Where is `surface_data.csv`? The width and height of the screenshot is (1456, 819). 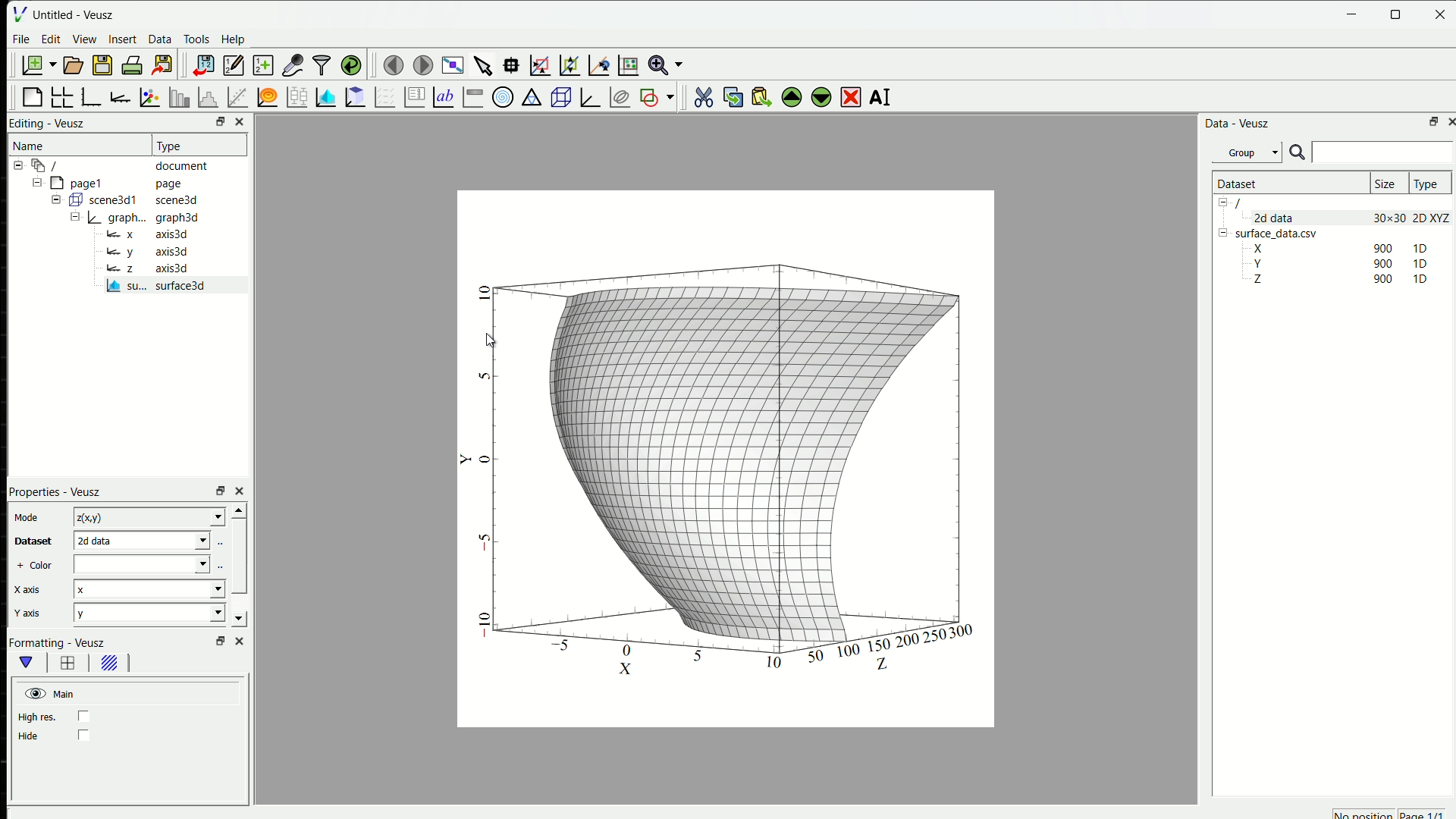 surface_data.csv is located at coordinates (1278, 234).